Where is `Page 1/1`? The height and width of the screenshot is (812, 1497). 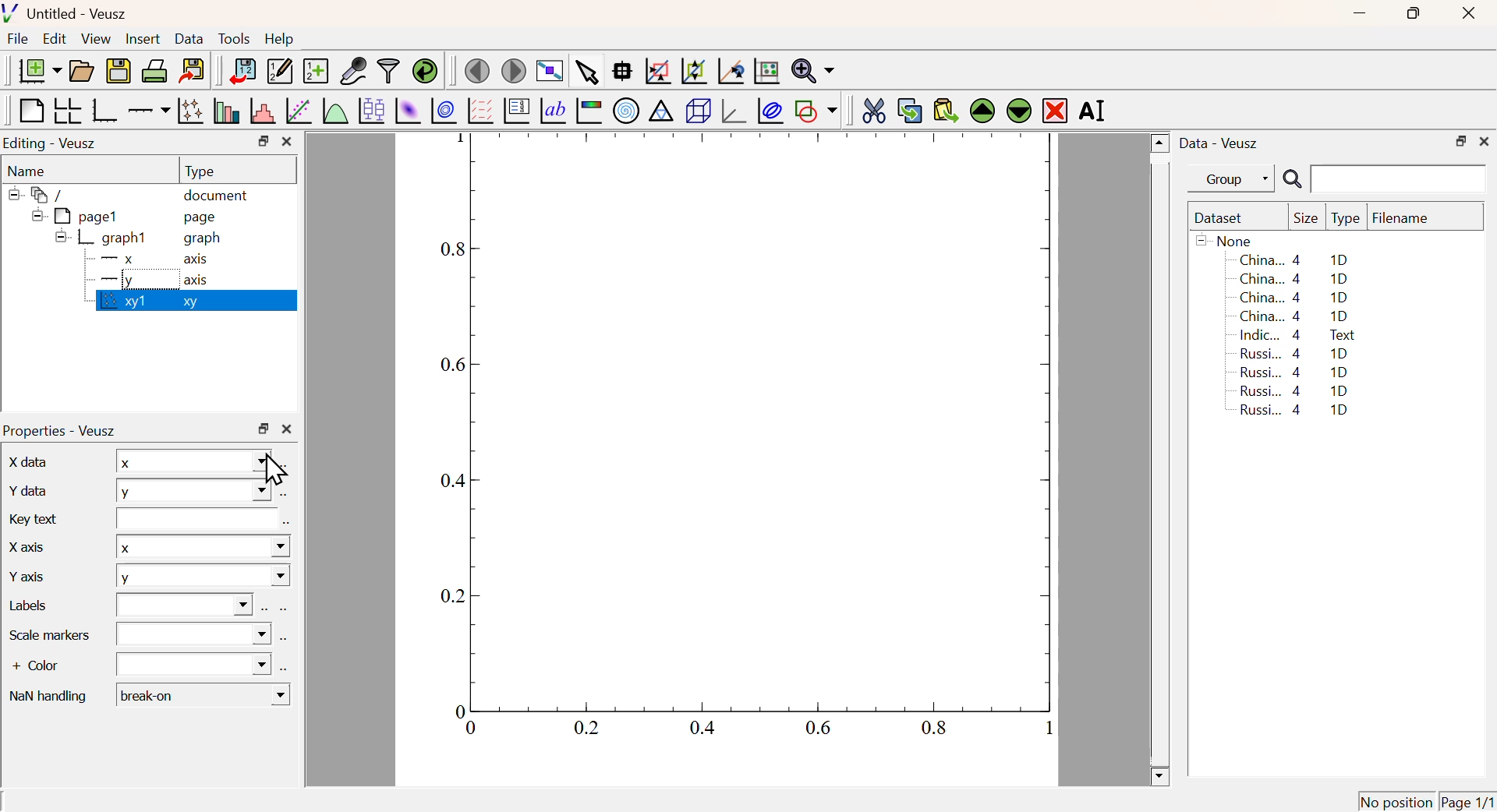 Page 1/1 is located at coordinates (1466, 801).